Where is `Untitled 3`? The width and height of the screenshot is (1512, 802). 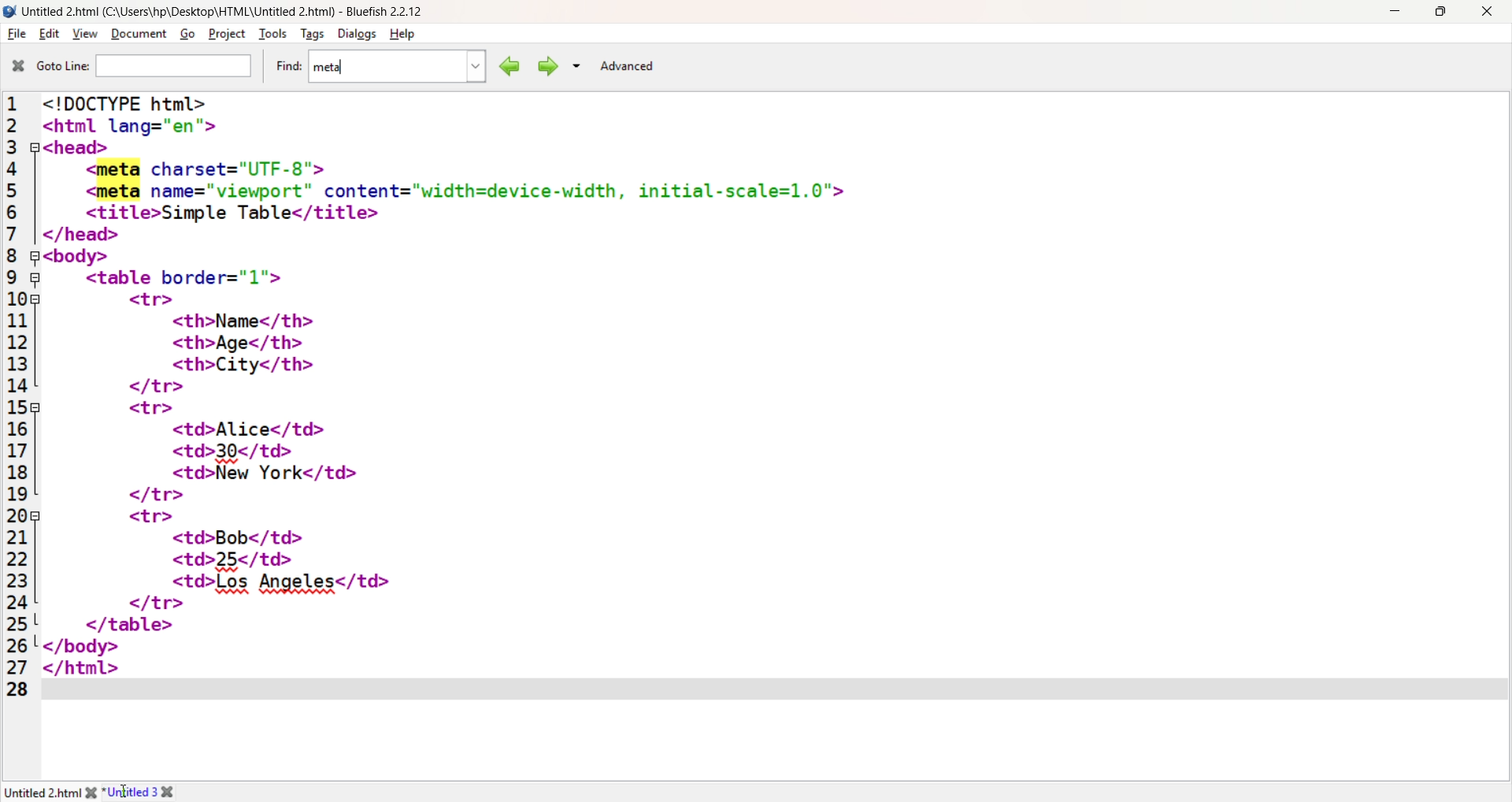 Untitled 3 is located at coordinates (131, 791).